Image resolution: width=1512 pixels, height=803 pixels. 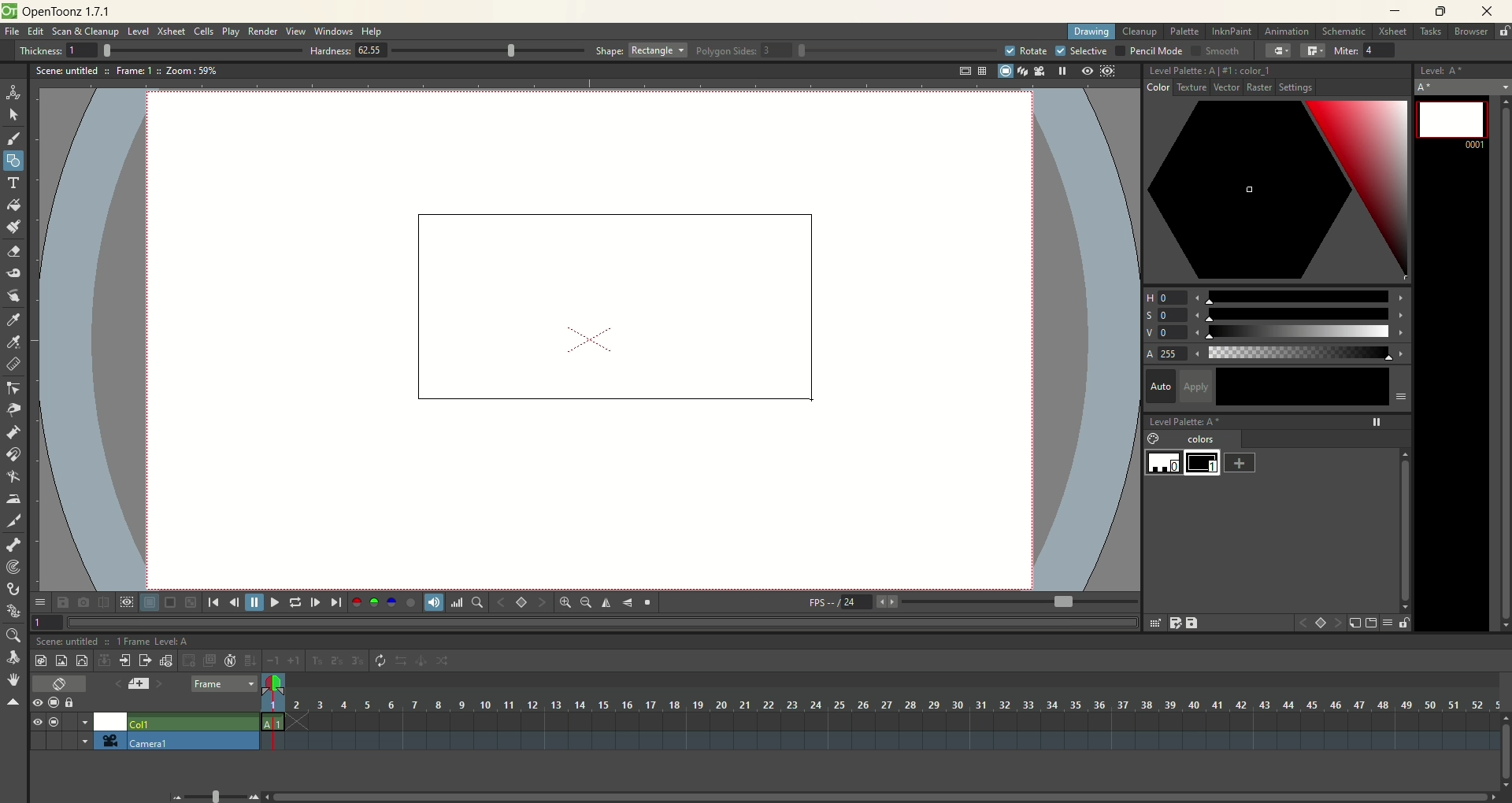 I want to click on first frame, so click(x=213, y=602).